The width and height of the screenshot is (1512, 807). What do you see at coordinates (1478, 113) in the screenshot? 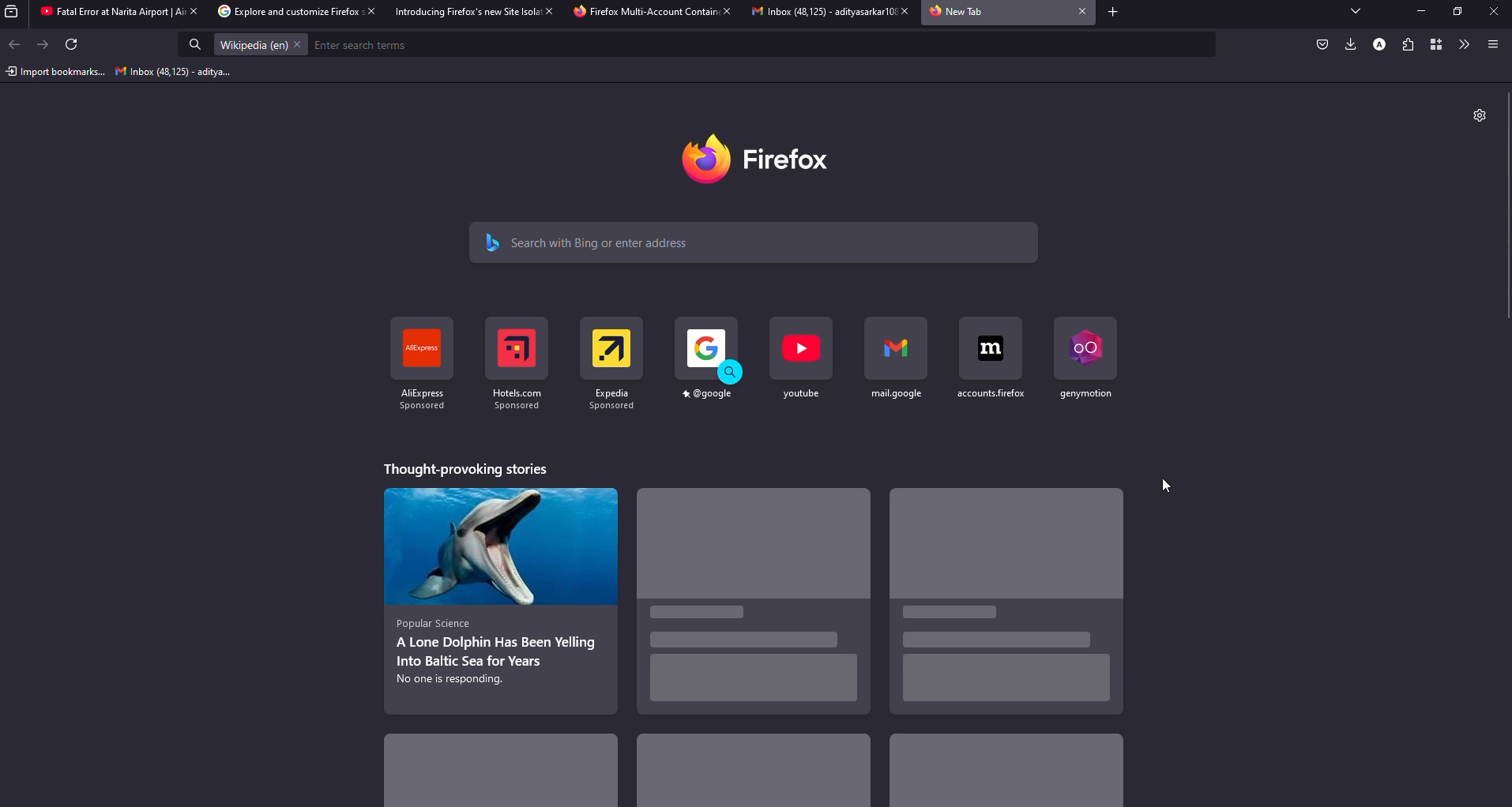
I see `settings` at bounding box center [1478, 113].